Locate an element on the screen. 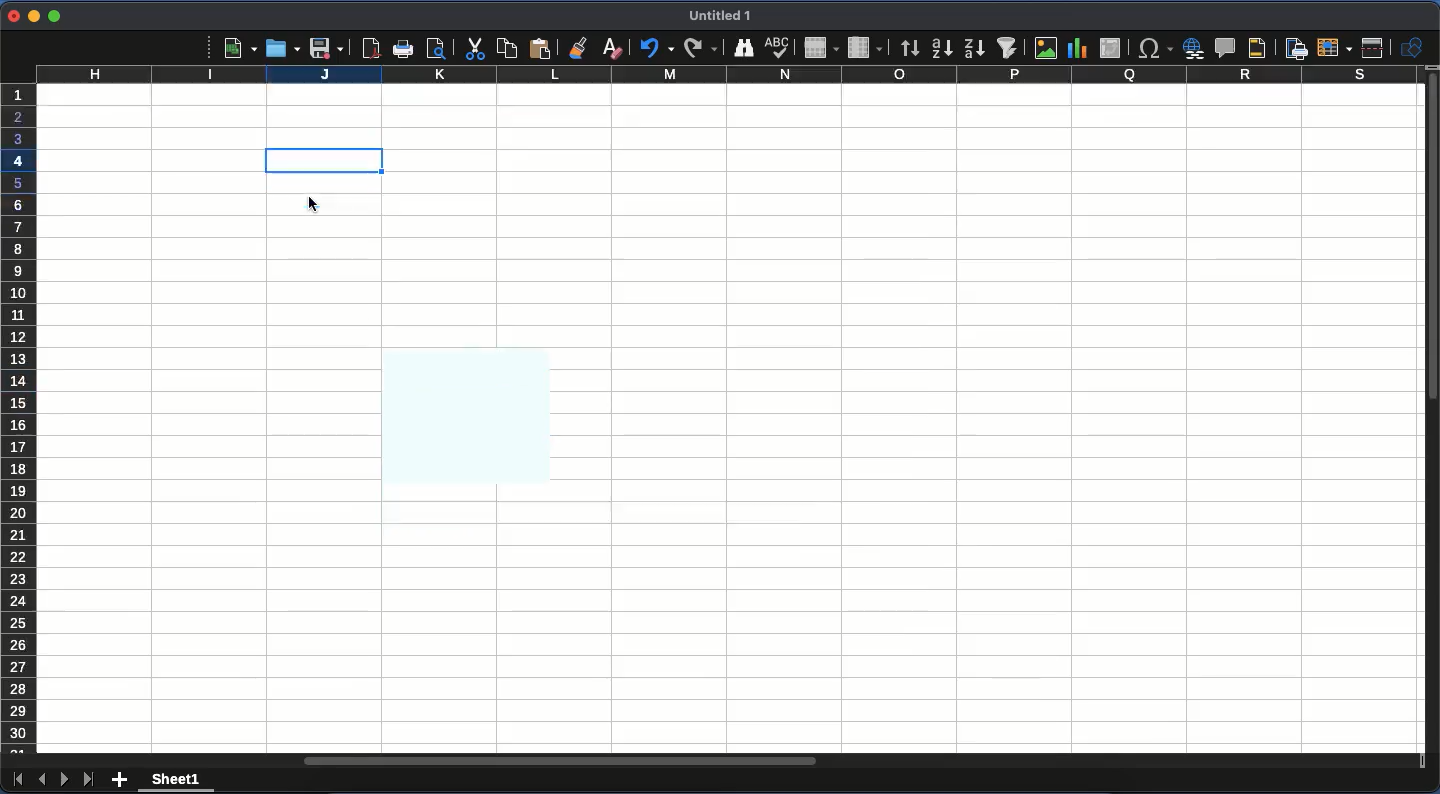  redo is located at coordinates (696, 47).